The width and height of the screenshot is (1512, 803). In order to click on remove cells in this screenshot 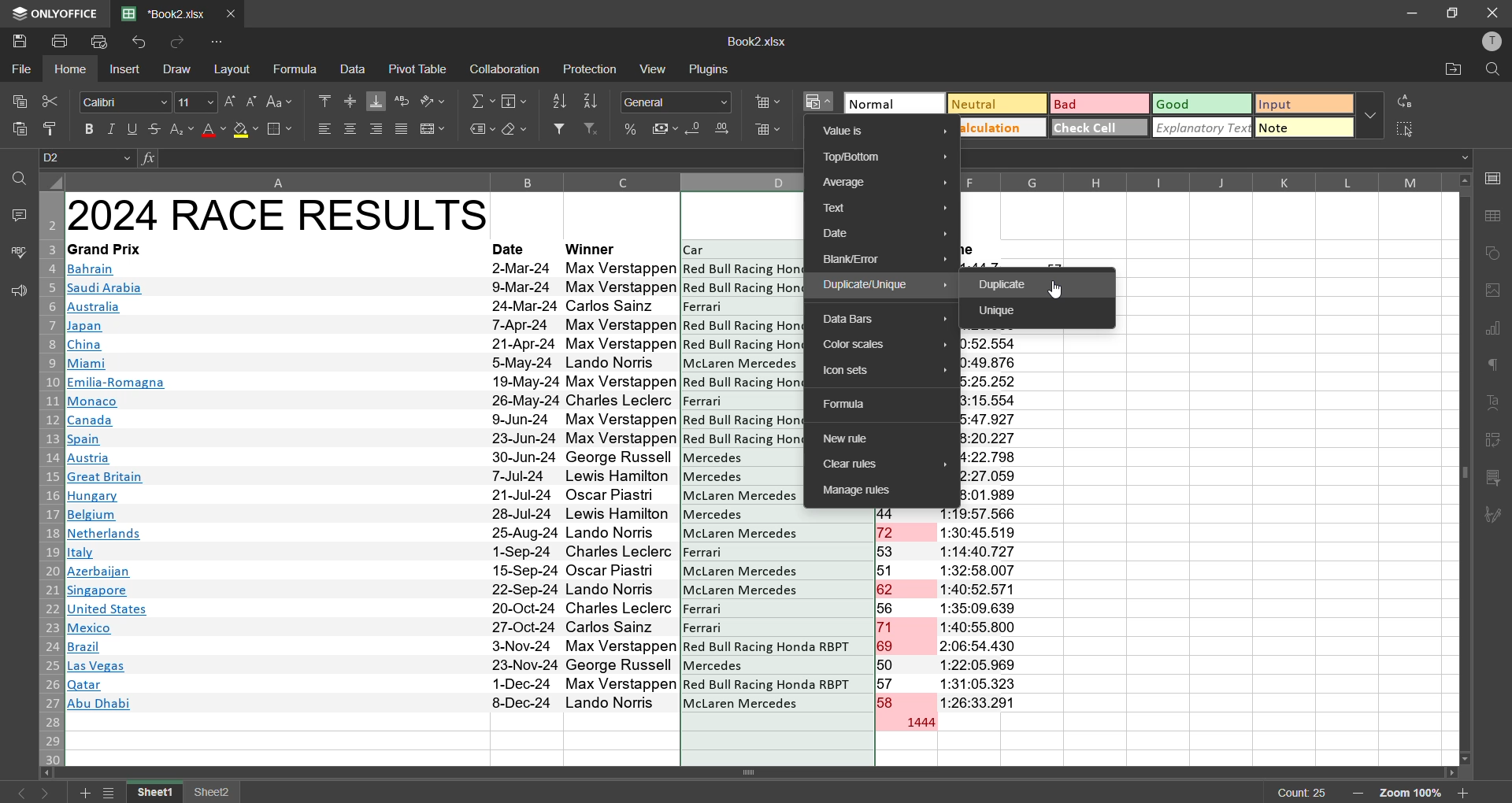, I will do `click(769, 132)`.